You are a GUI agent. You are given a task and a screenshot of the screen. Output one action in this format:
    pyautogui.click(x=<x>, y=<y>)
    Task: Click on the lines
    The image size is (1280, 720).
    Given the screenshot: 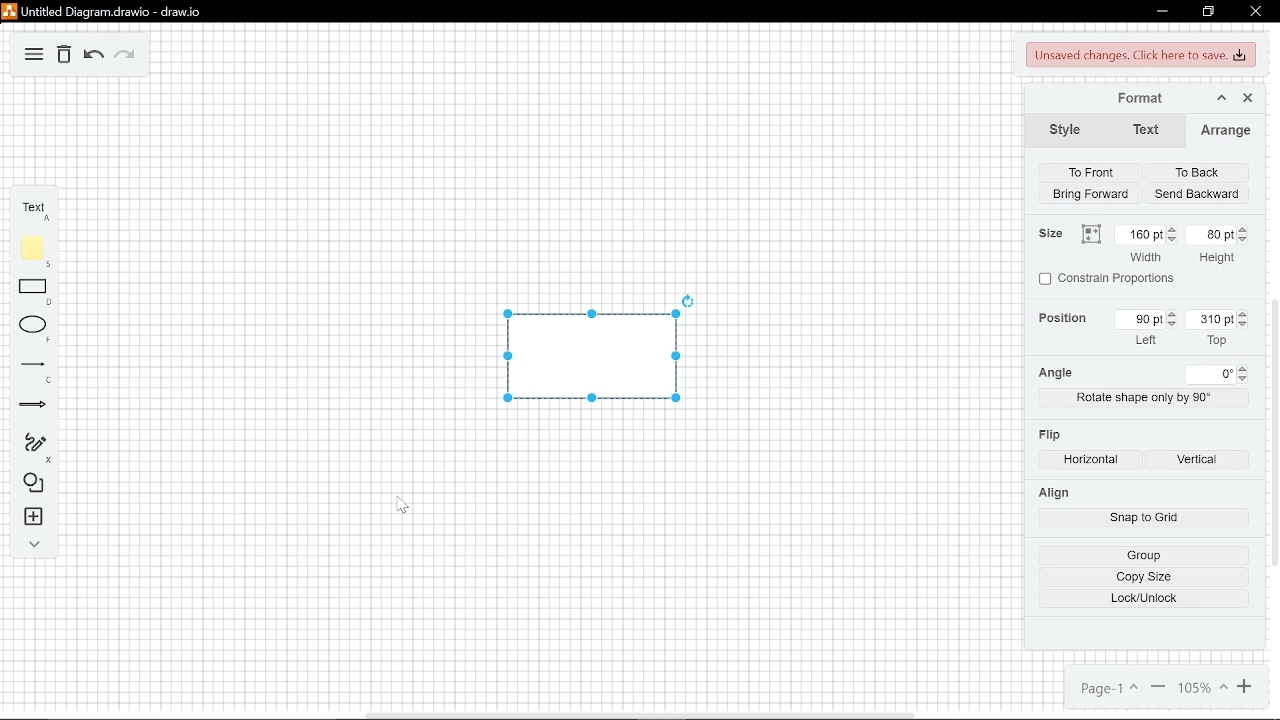 What is the action you would take?
    pyautogui.click(x=36, y=373)
    